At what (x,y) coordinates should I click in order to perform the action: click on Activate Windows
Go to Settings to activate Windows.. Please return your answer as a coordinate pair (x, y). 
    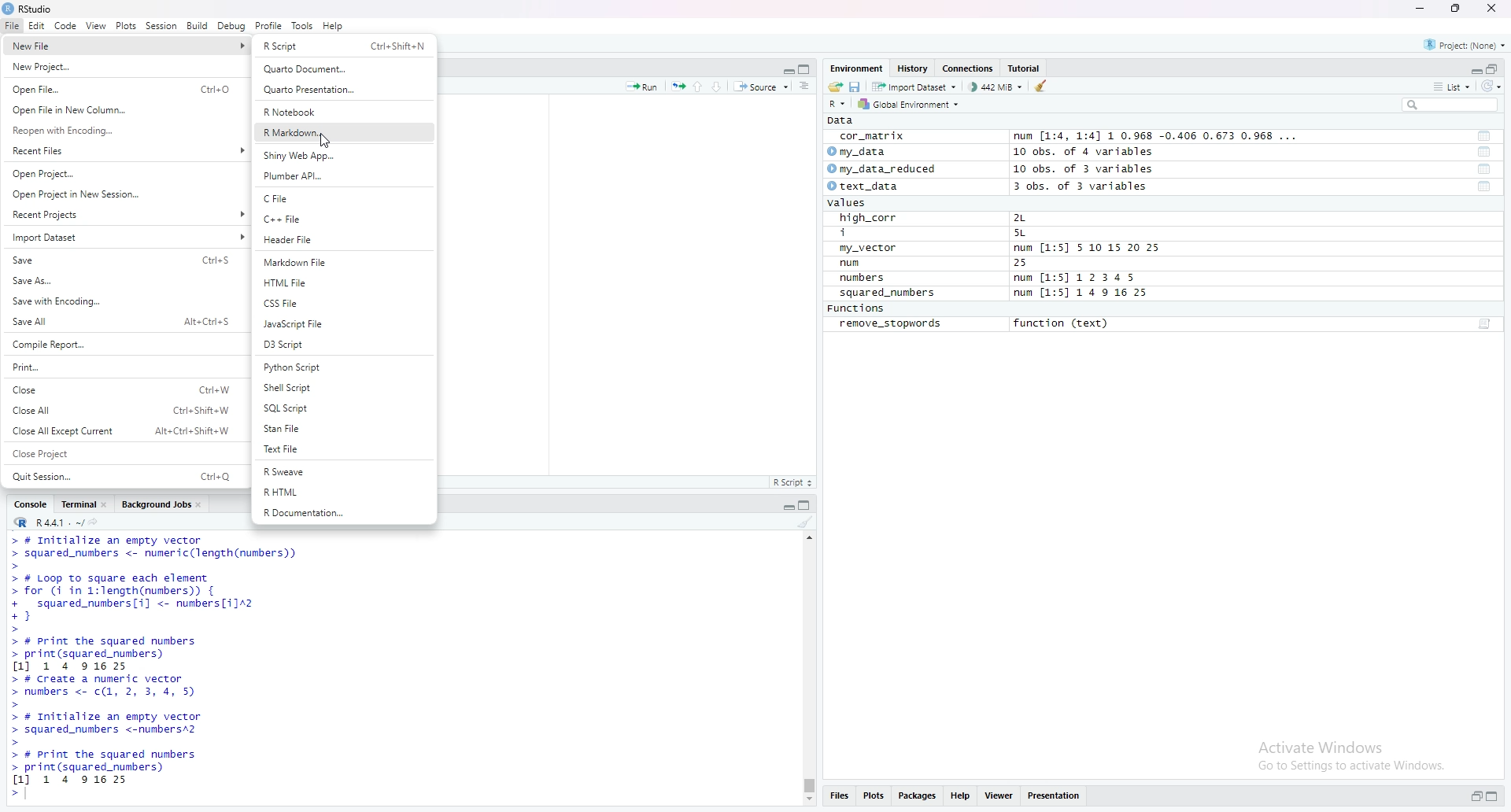
    Looking at the image, I should click on (1350, 754).